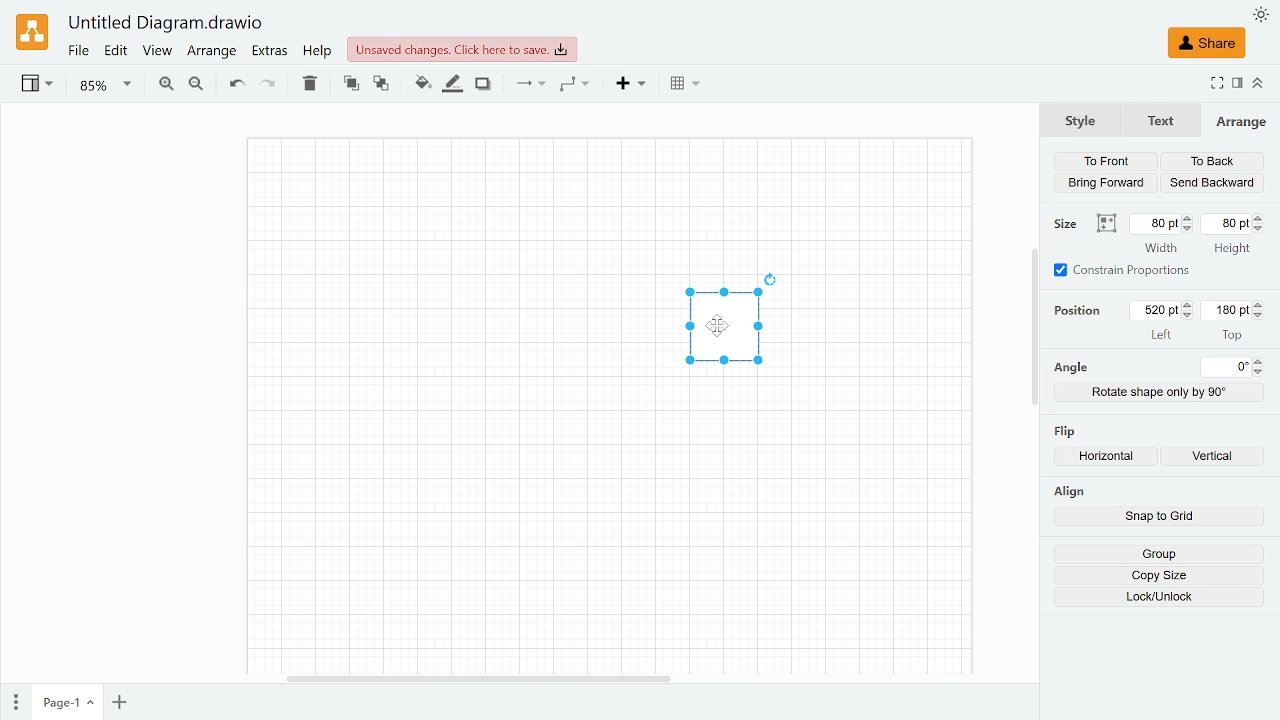 Image resolution: width=1280 pixels, height=720 pixels. What do you see at coordinates (1082, 310) in the screenshot?
I see `position` at bounding box center [1082, 310].